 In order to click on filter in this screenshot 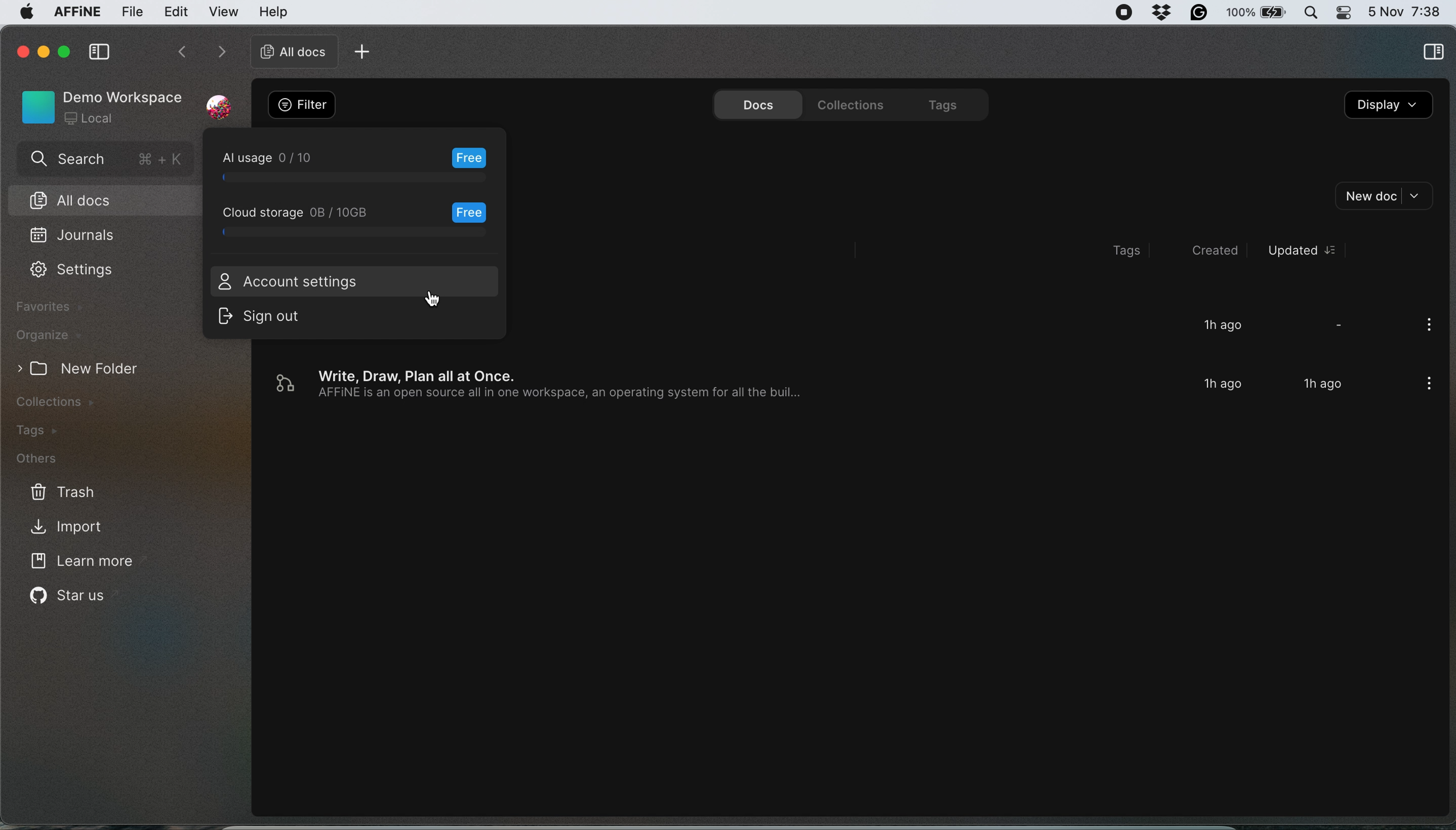, I will do `click(303, 105)`.